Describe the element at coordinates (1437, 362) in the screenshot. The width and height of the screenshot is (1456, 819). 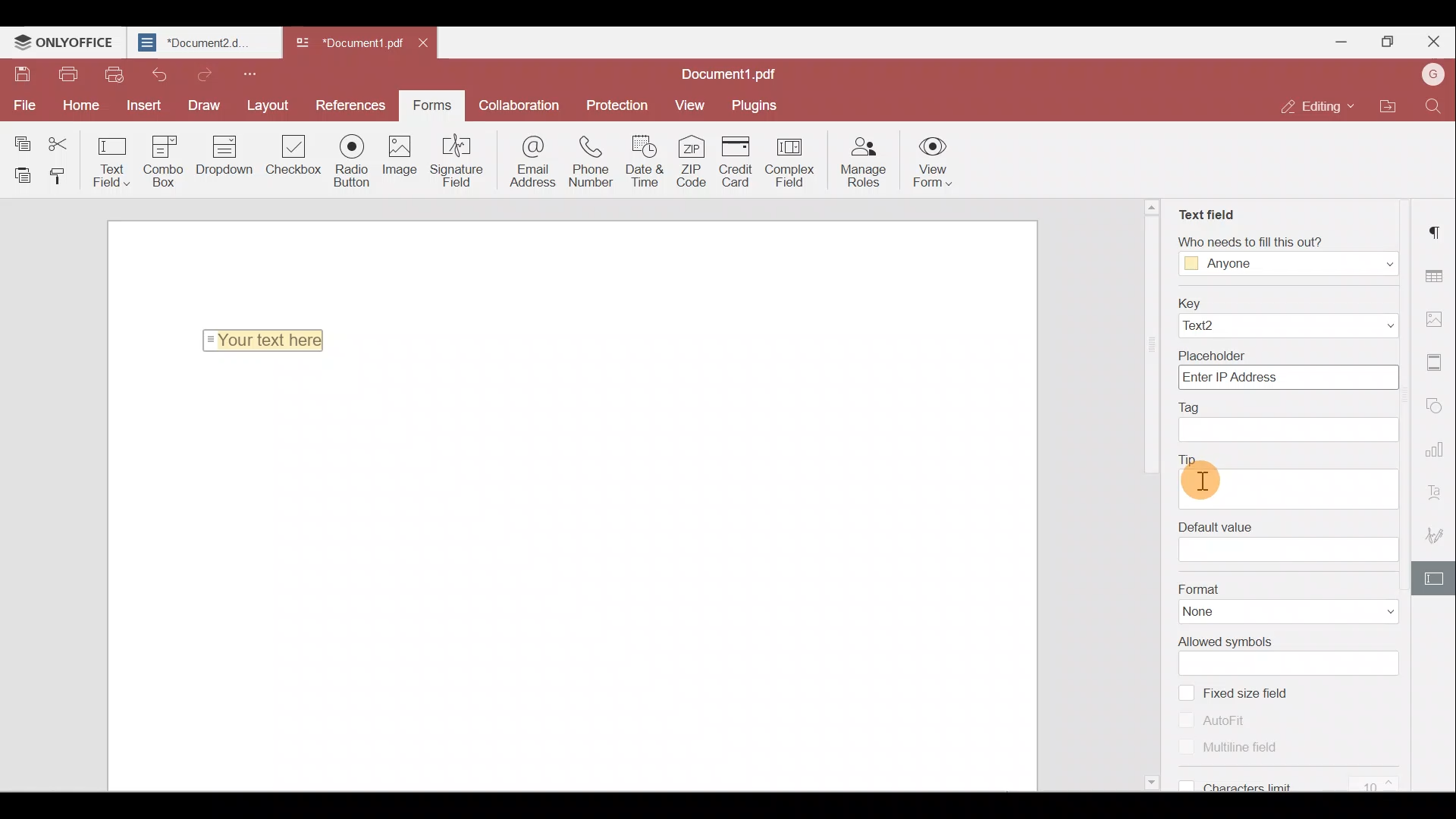
I see `Header & footer settings` at that location.